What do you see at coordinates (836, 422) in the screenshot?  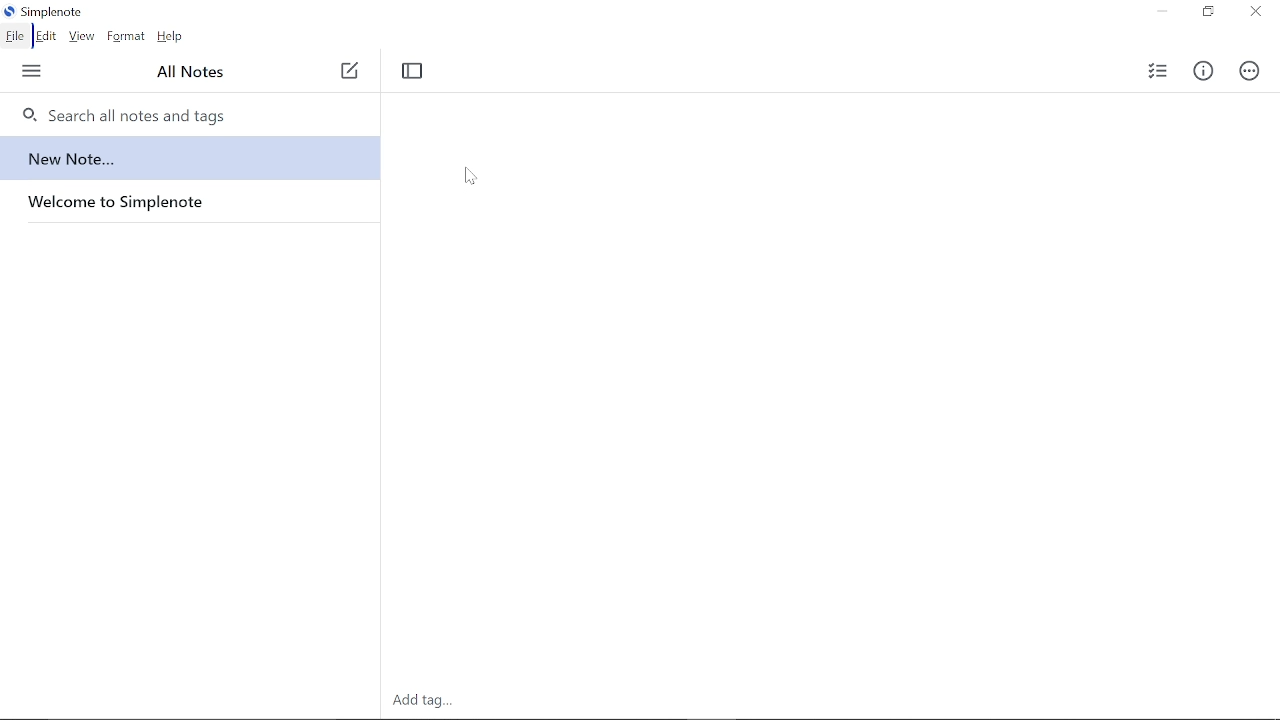 I see `space for writing on the note` at bounding box center [836, 422].